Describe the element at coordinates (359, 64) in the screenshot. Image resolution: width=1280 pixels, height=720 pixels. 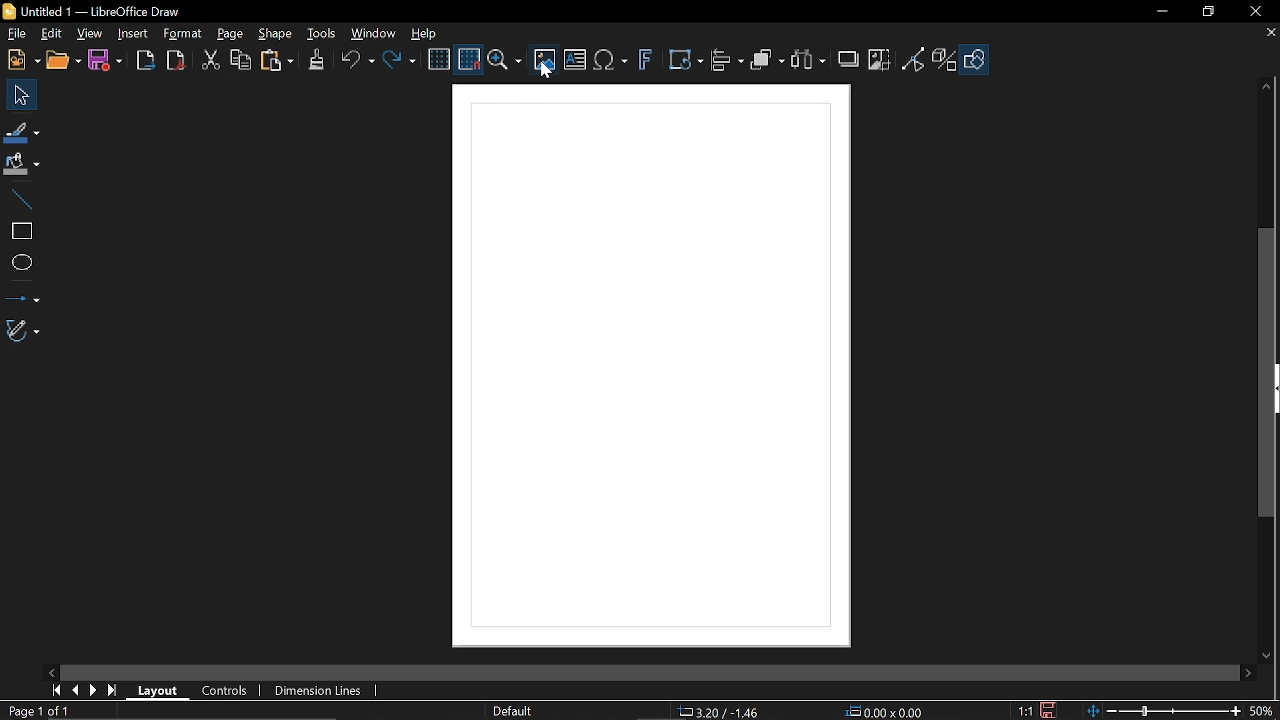
I see `Undo` at that location.